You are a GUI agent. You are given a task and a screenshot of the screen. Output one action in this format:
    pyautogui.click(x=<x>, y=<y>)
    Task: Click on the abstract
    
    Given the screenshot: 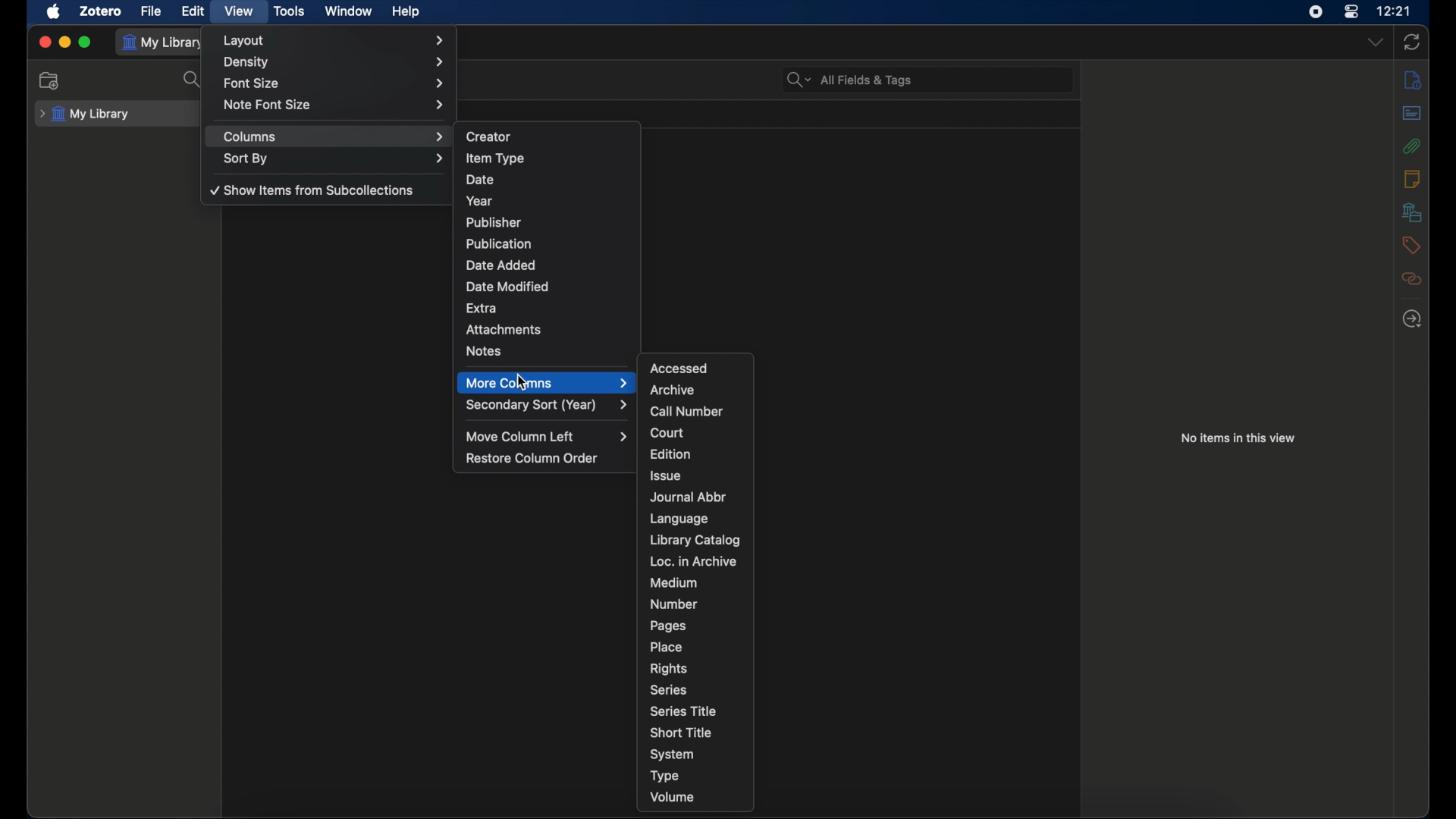 What is the action you would take?
    pyautogui.click(x=1412, y=113)
    